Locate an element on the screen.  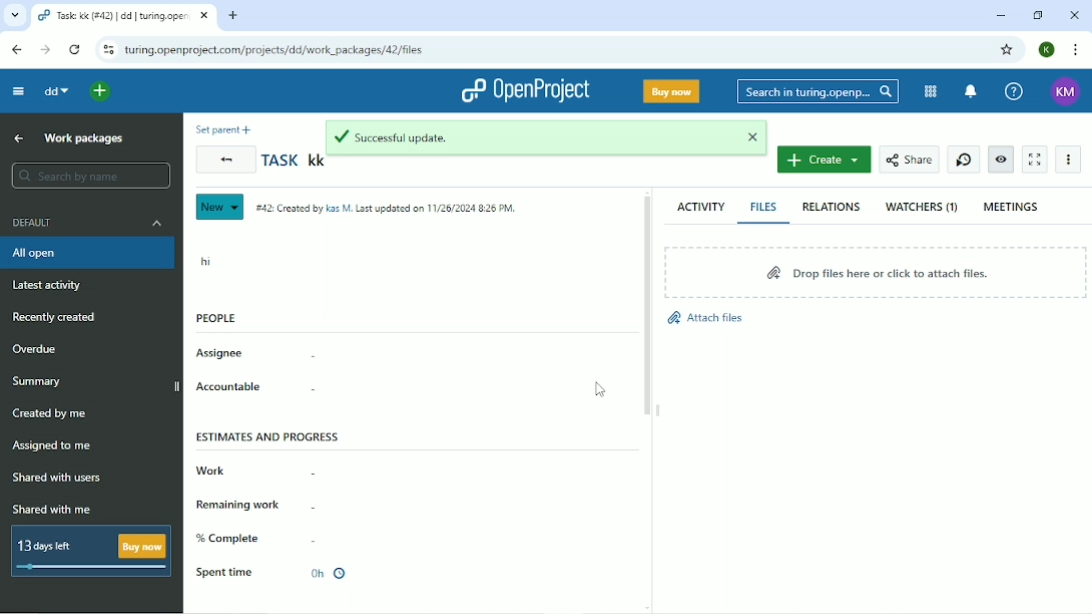
13 days left Buy now is located at coordinates (93, 550).